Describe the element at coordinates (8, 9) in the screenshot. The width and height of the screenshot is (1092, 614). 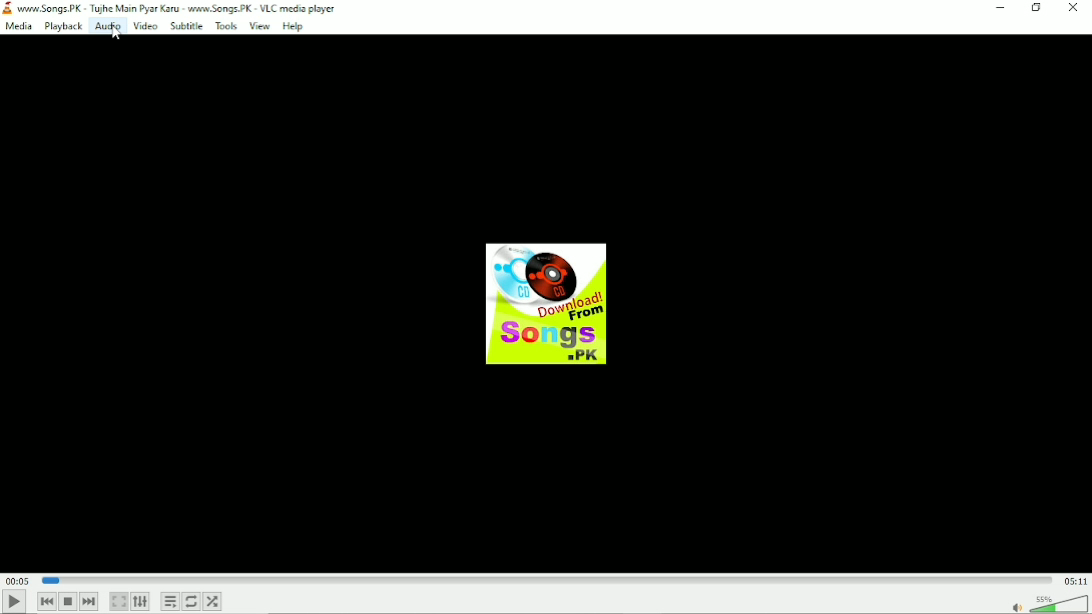
I see `application logo` at that location.